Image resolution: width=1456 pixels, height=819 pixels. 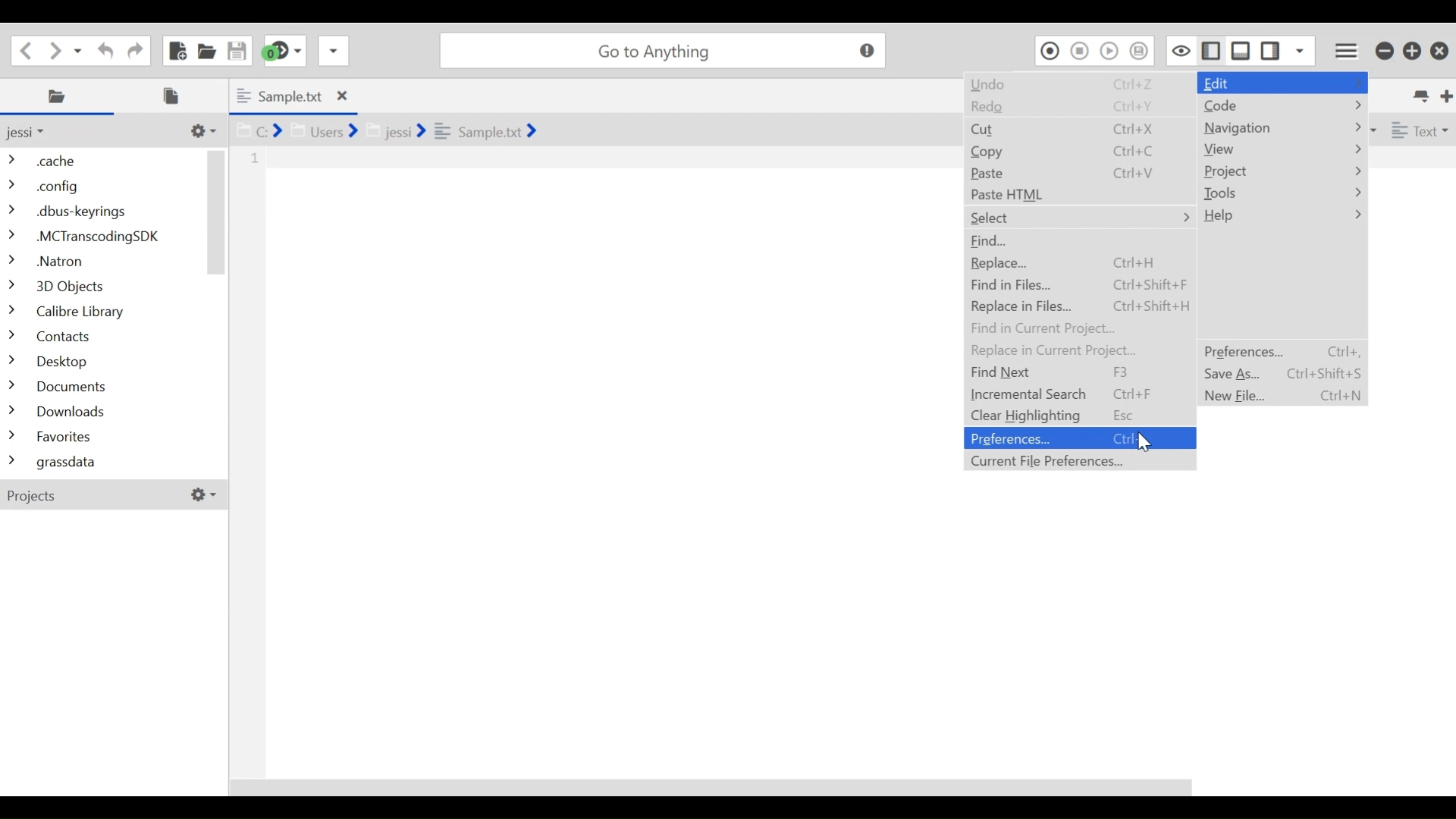 What do you see at coordinates (333, 50) in the screenshot?
I see `Share current file` at bounding box center [333, 50].